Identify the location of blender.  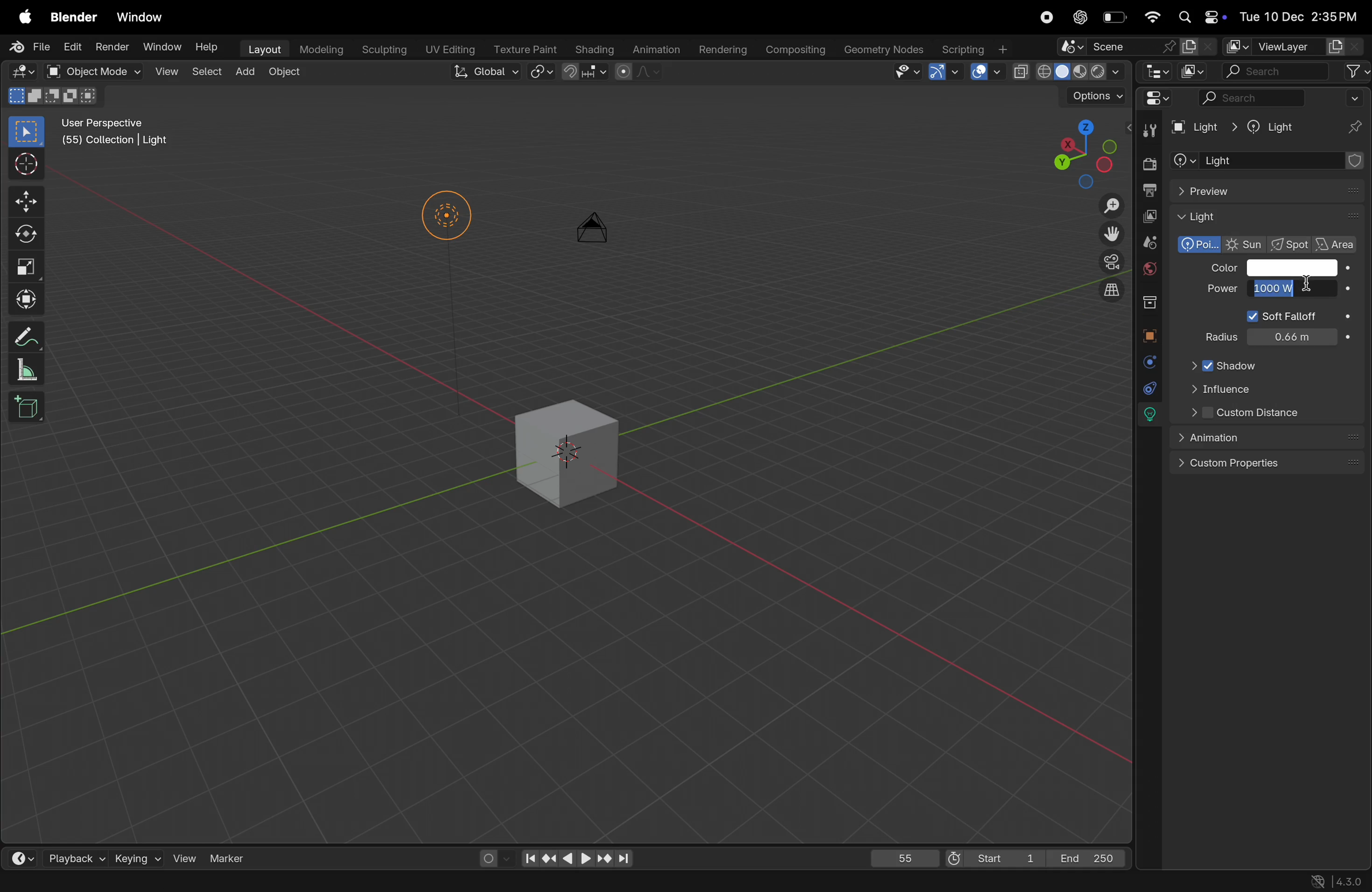
(74, 16).